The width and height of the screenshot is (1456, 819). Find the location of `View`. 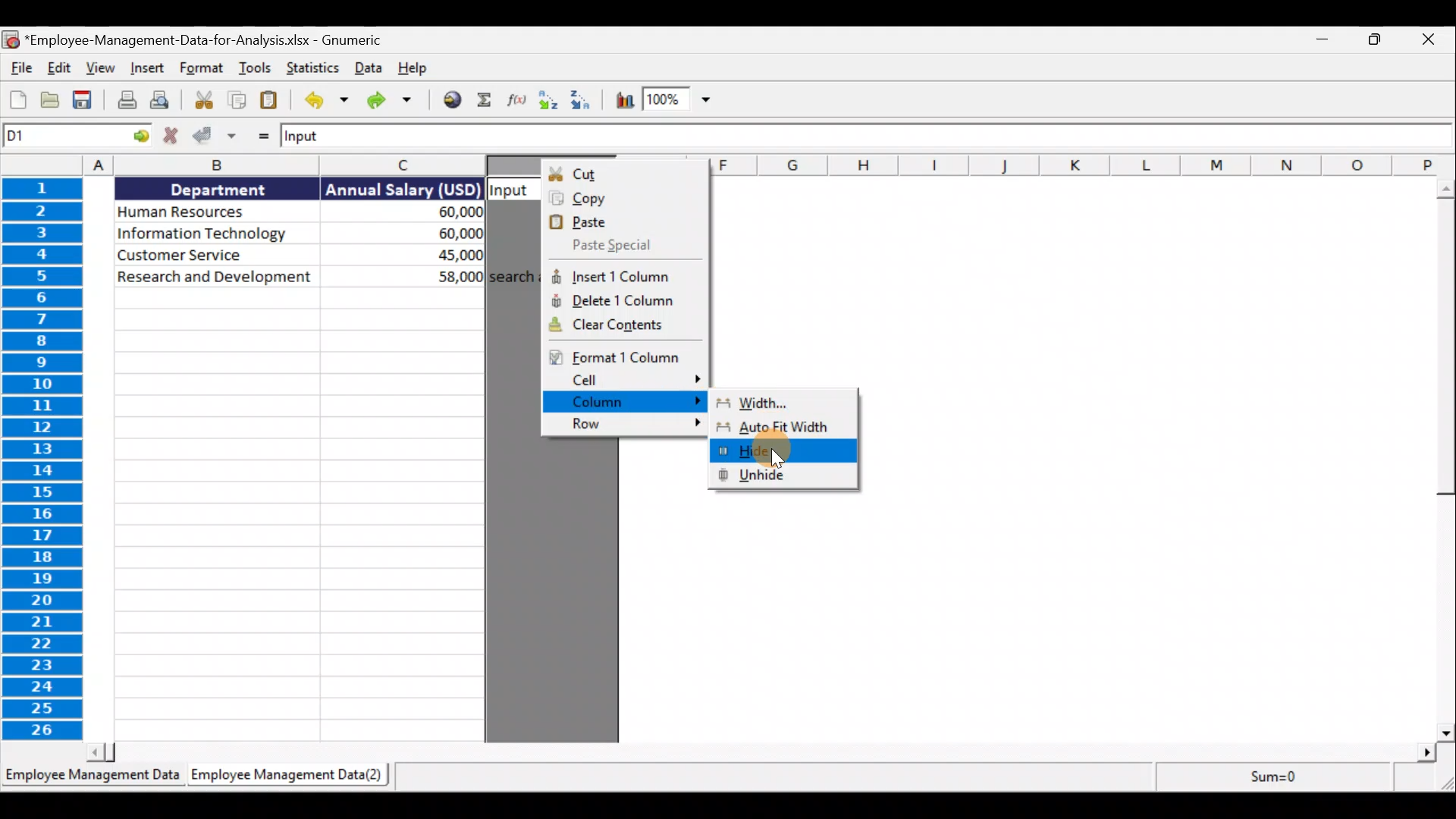

View is located at coordinates (103, 65).